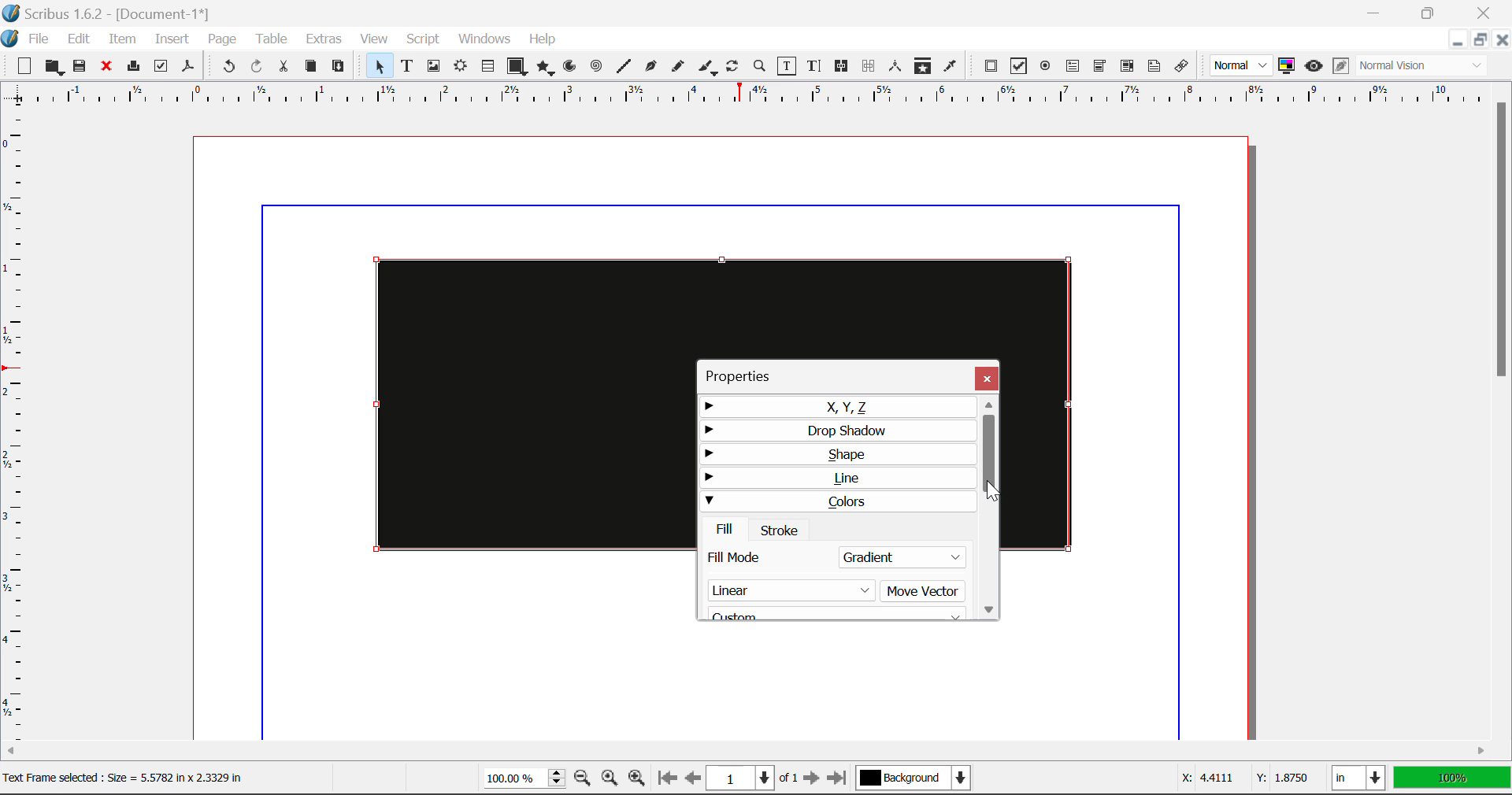 Image resolution: width=1512 pixels, height=795 pixels. Describe the element at coordinates (752, 780) in the screenshot. I see `Page 1 of 1` at that location.